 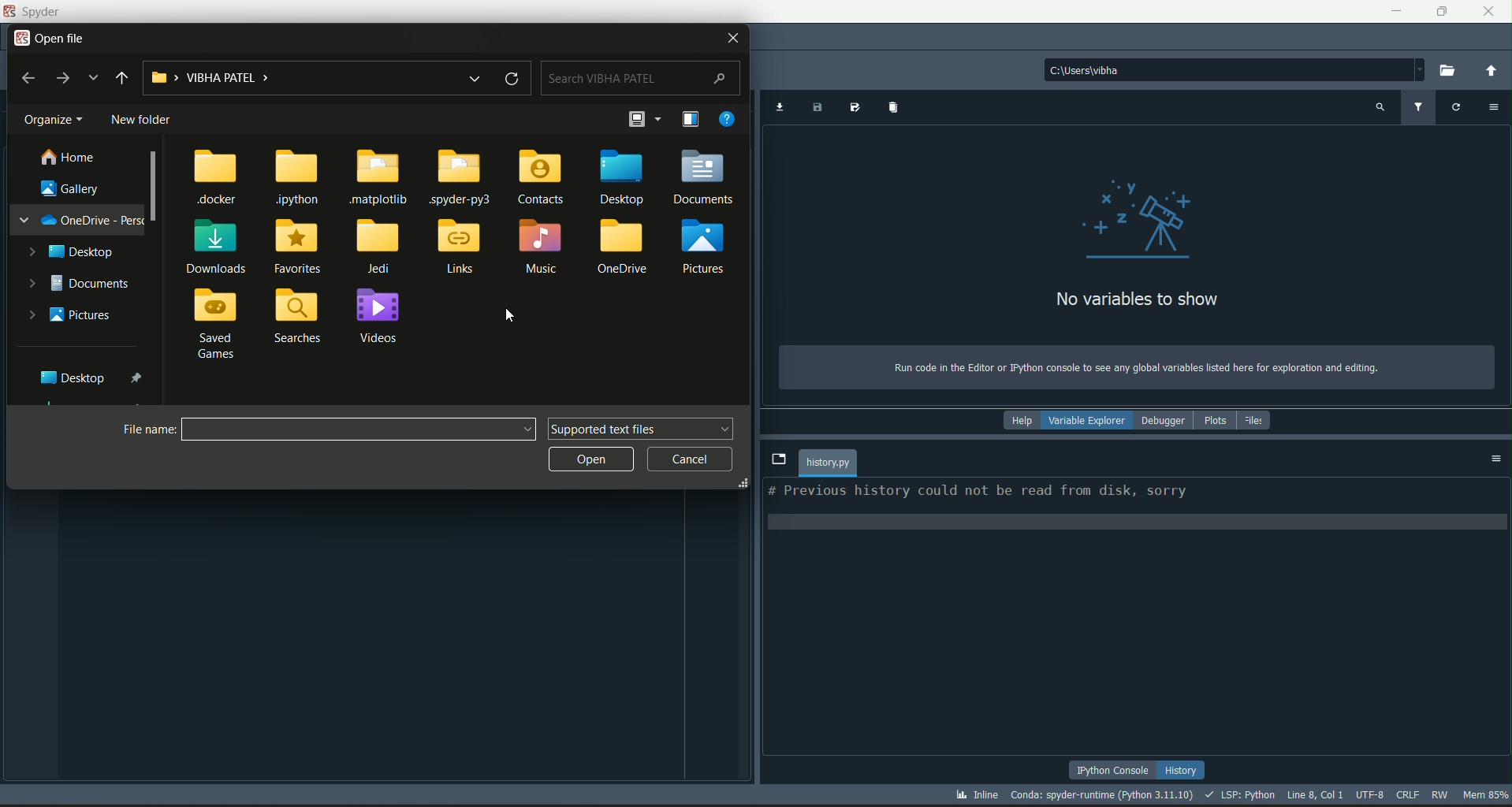 I want to click on close, so click(x=731, y=39).